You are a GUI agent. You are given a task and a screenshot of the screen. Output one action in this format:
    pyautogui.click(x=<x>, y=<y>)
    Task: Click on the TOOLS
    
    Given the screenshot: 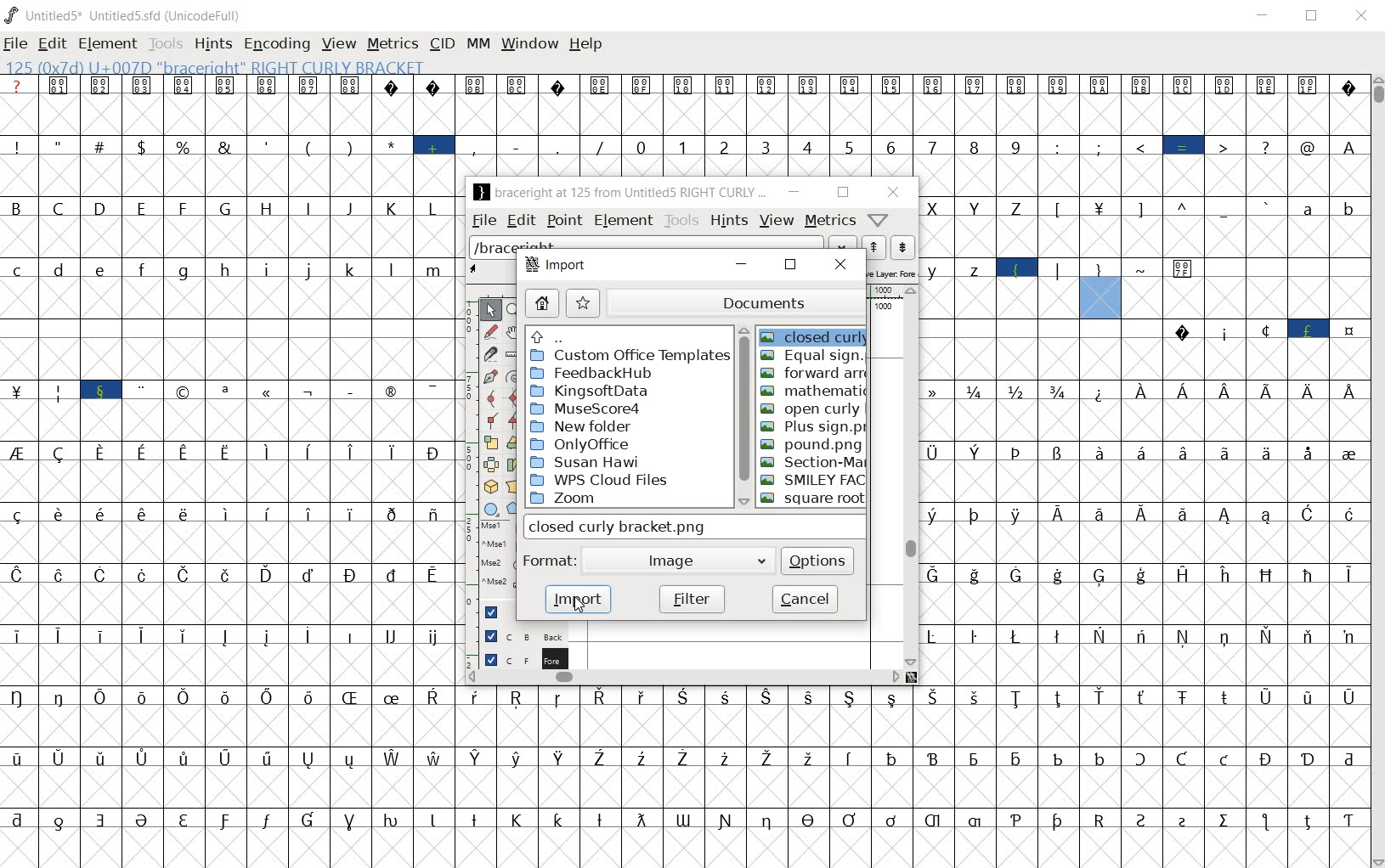 What is the action you would take?
    pyautogui.click(x=164, y=45)
    